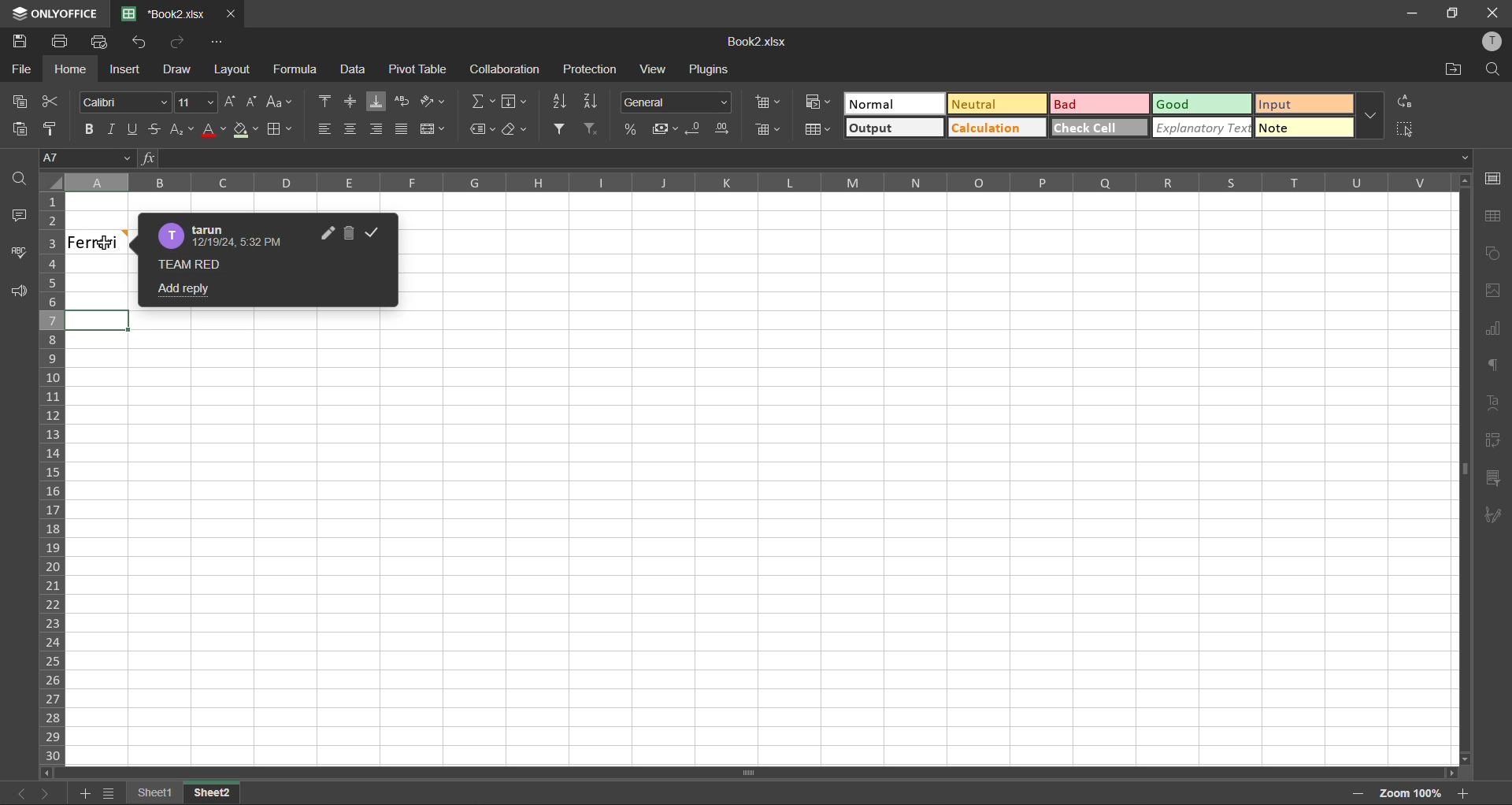 The height and width of the screenshot is (805, 1512). I want to click on table, so click(1494, 217).